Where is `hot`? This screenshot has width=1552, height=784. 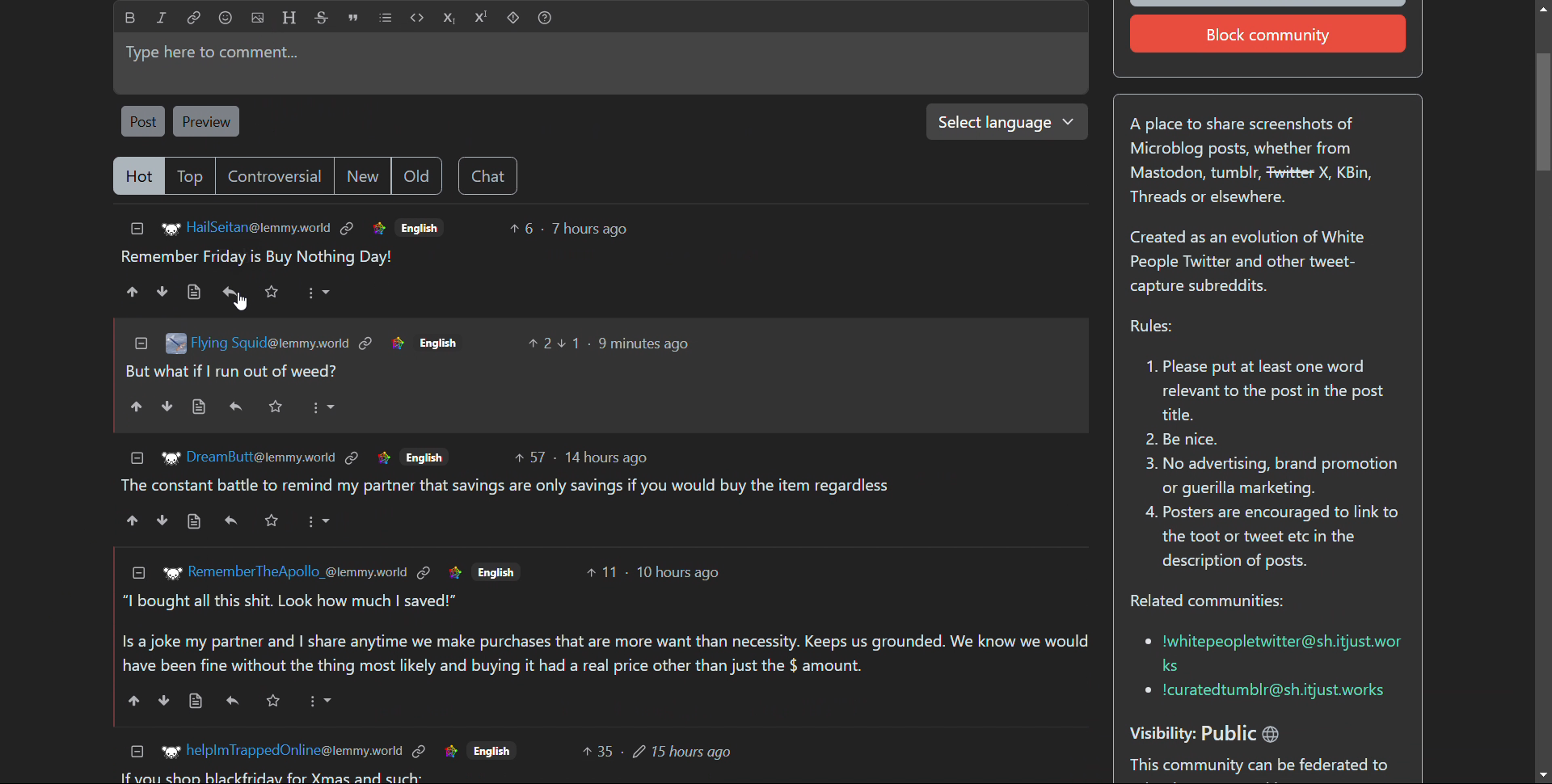
hot is located at coordinates (138, 177).